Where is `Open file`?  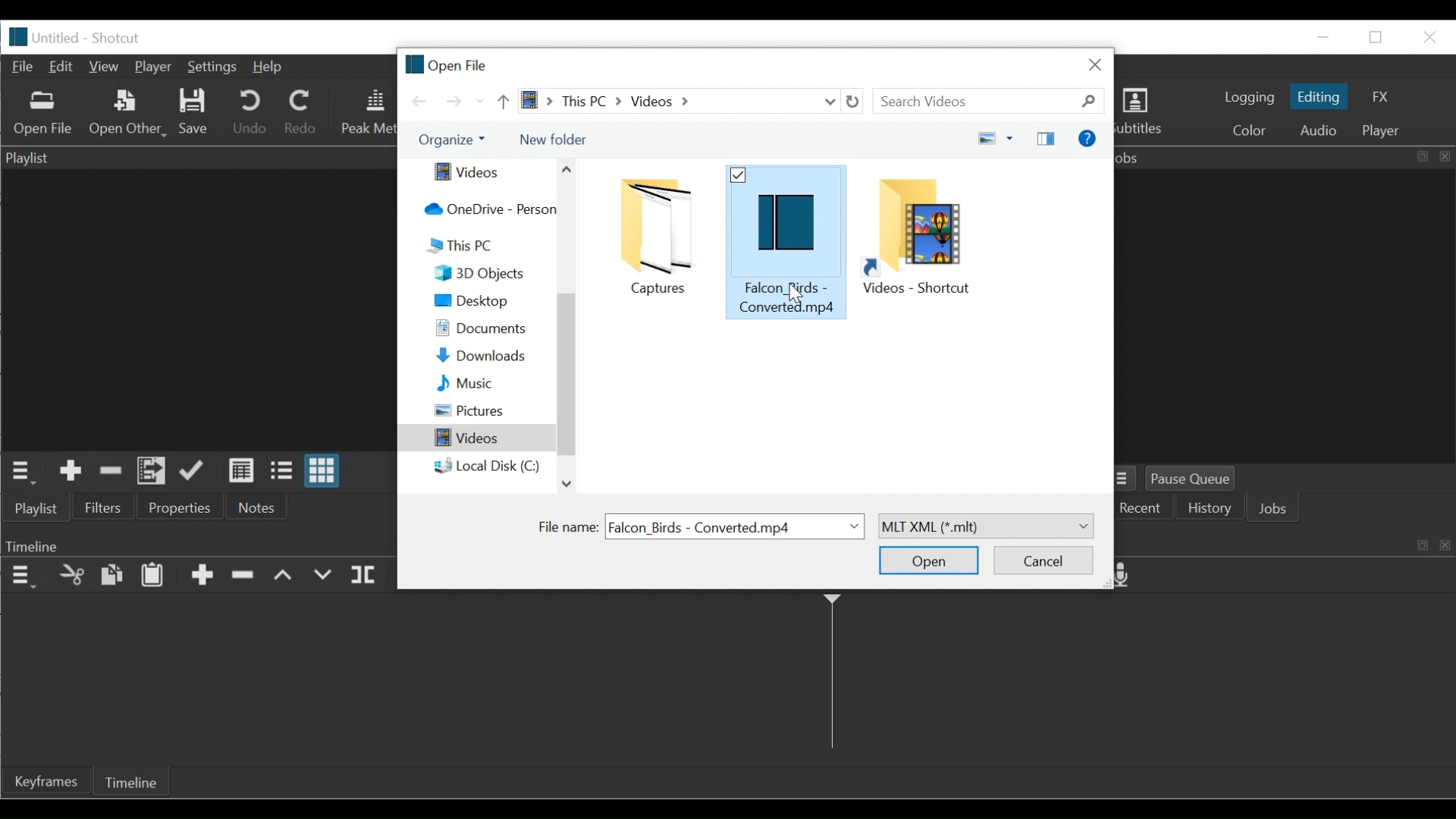
Open file is located at coordinates (447, 63).